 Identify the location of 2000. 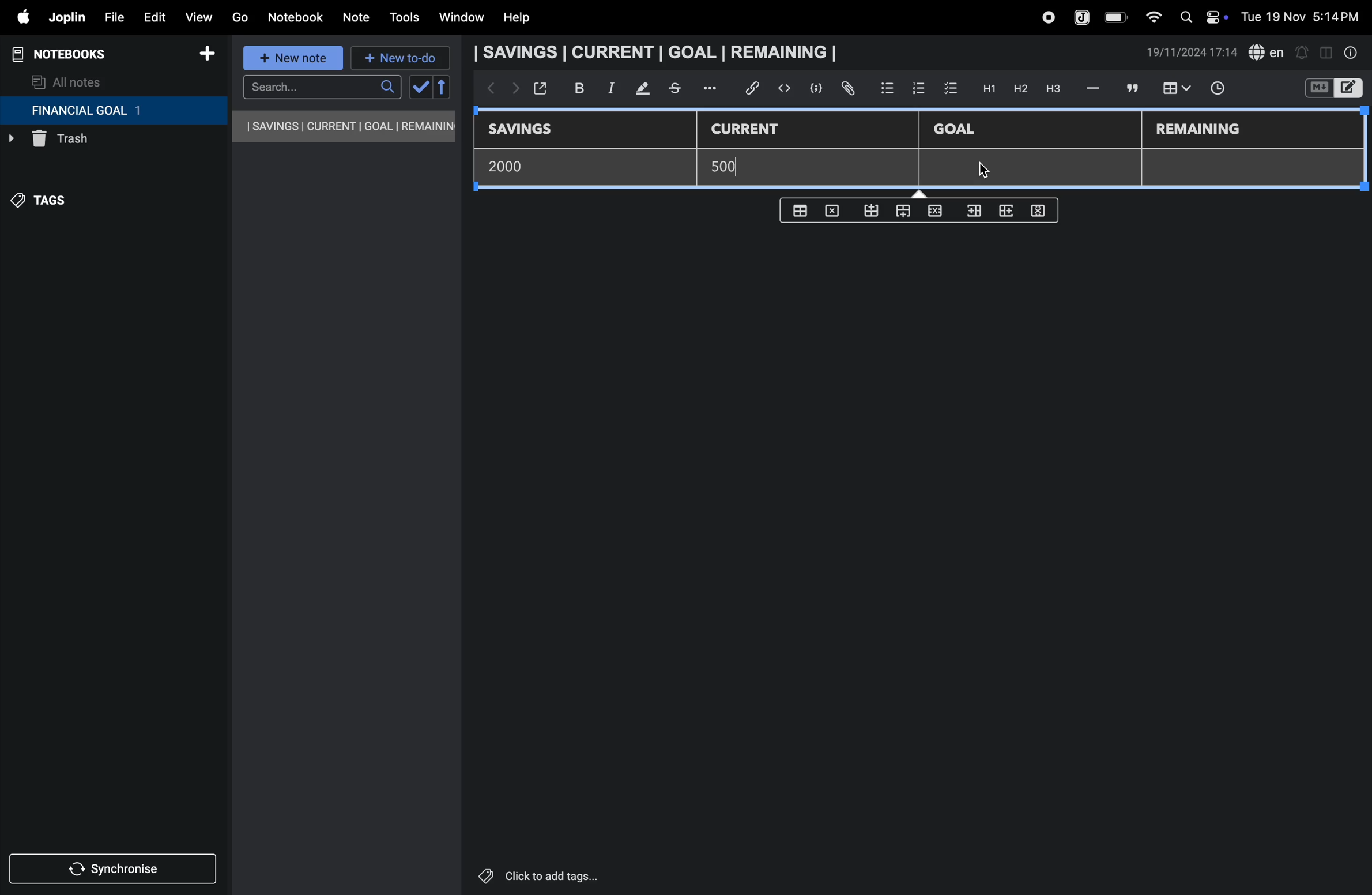
(514, 166).